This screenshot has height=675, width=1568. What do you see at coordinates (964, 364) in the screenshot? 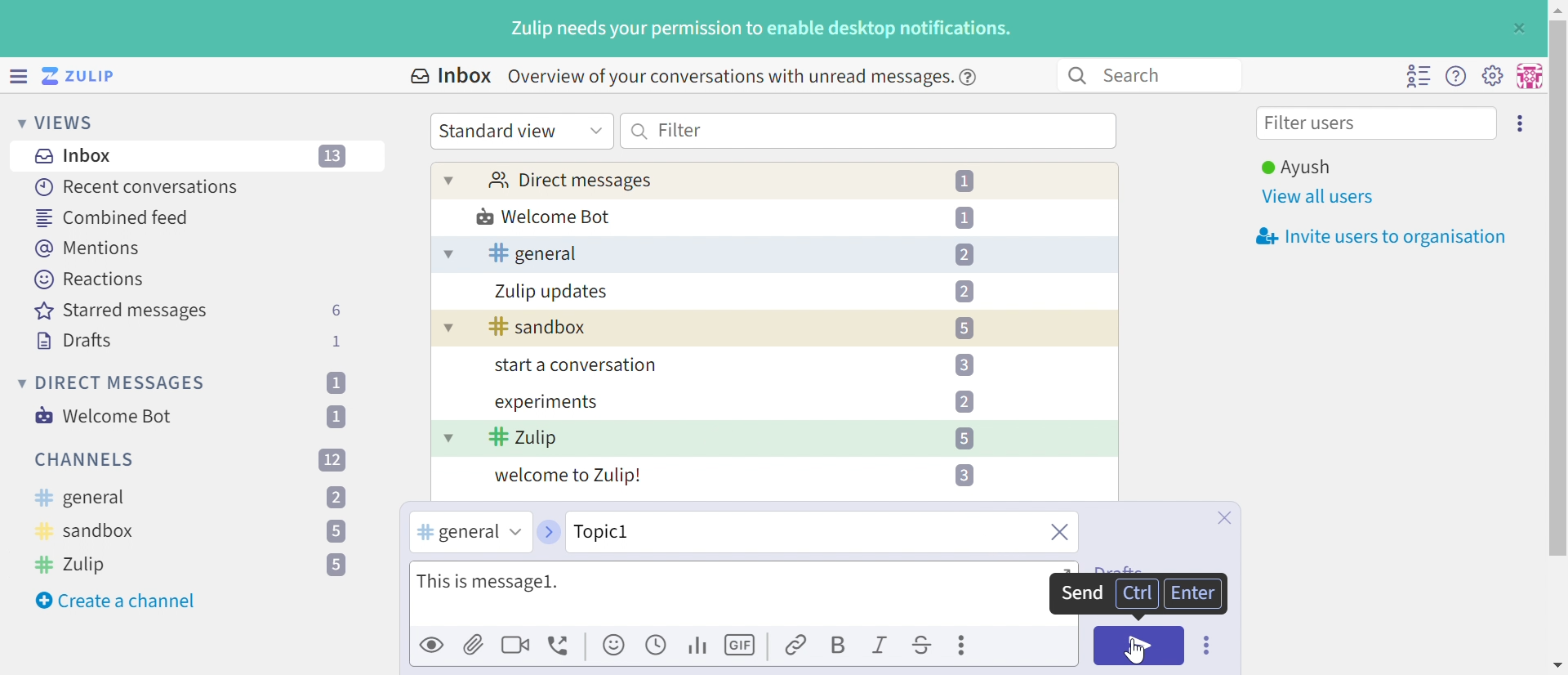
I see `3` at bounding box center [964, 364].